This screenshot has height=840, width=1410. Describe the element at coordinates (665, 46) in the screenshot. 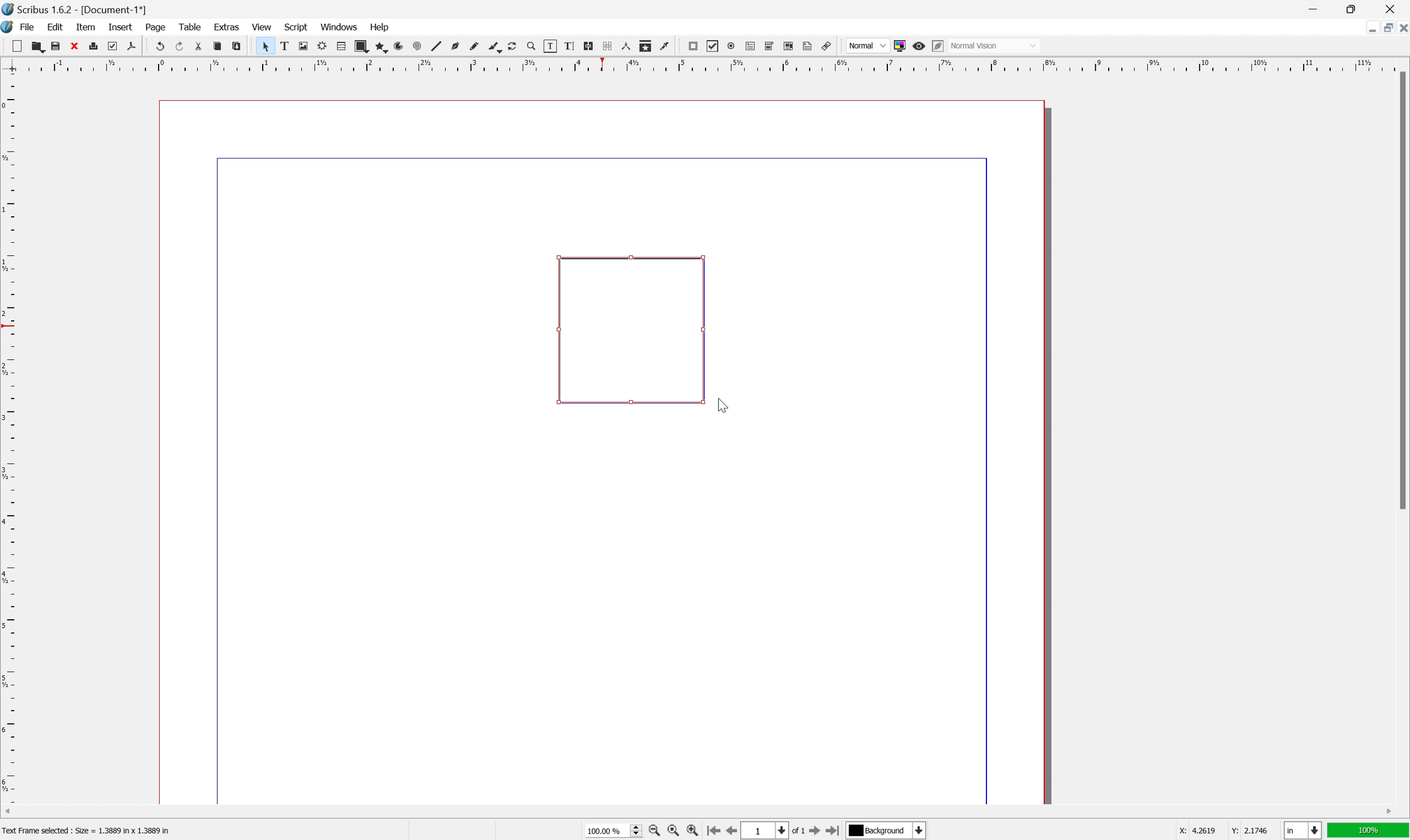

I see `eye dropper` at that location.